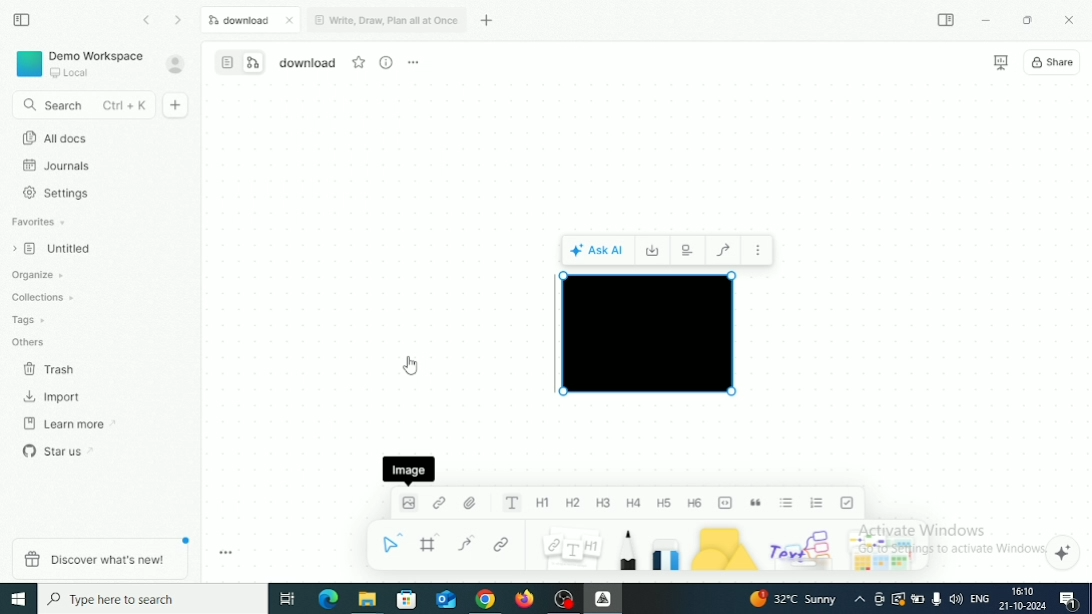 This screenshot has width=1092, height=614. What do you see at coordinates (226, 553) in the screenshot?
I see `Toggle zoom tool bar` at bounding box center [226, 553].